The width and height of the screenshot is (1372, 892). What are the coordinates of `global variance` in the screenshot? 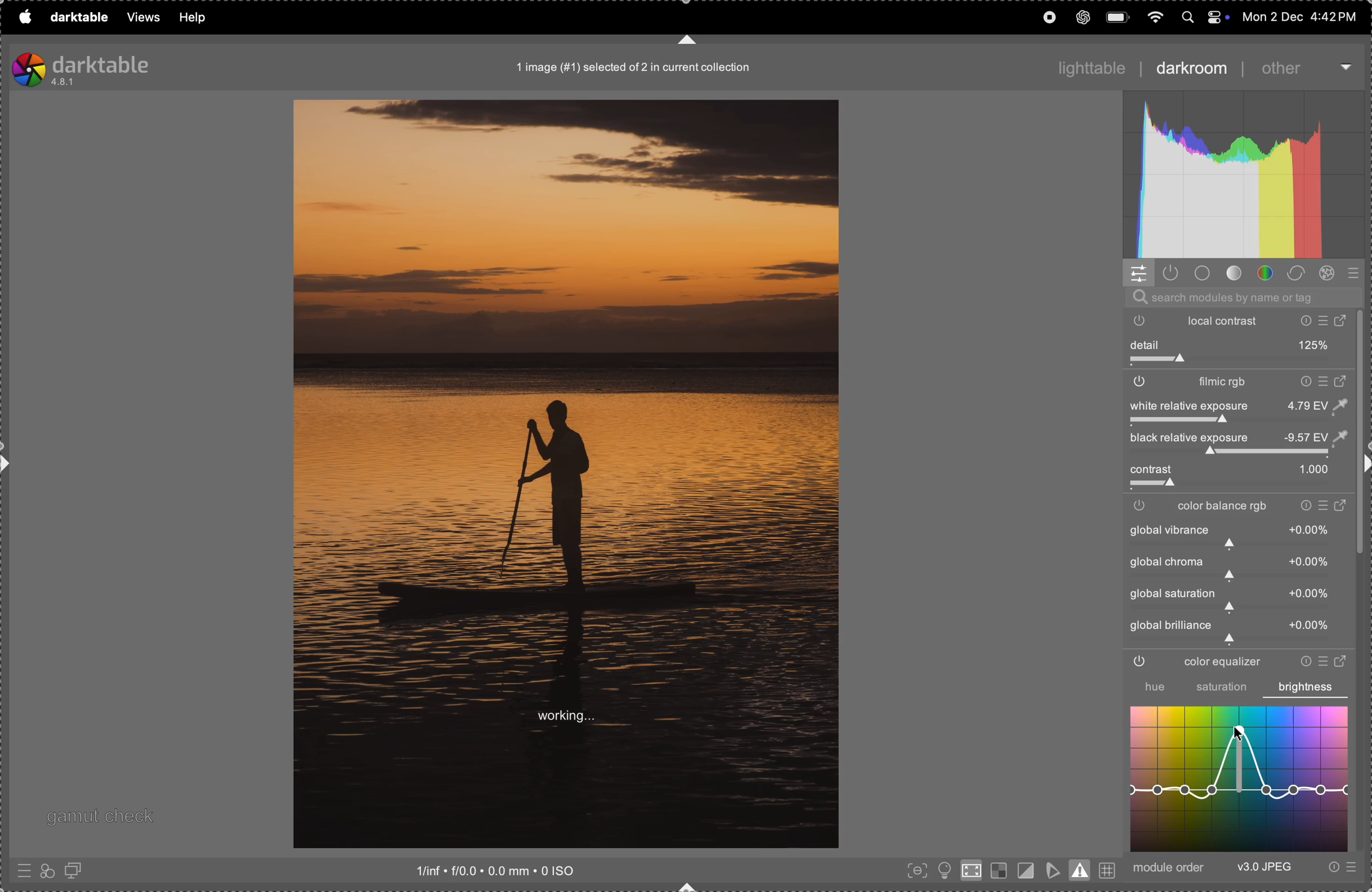 It's located at (1238, 536).